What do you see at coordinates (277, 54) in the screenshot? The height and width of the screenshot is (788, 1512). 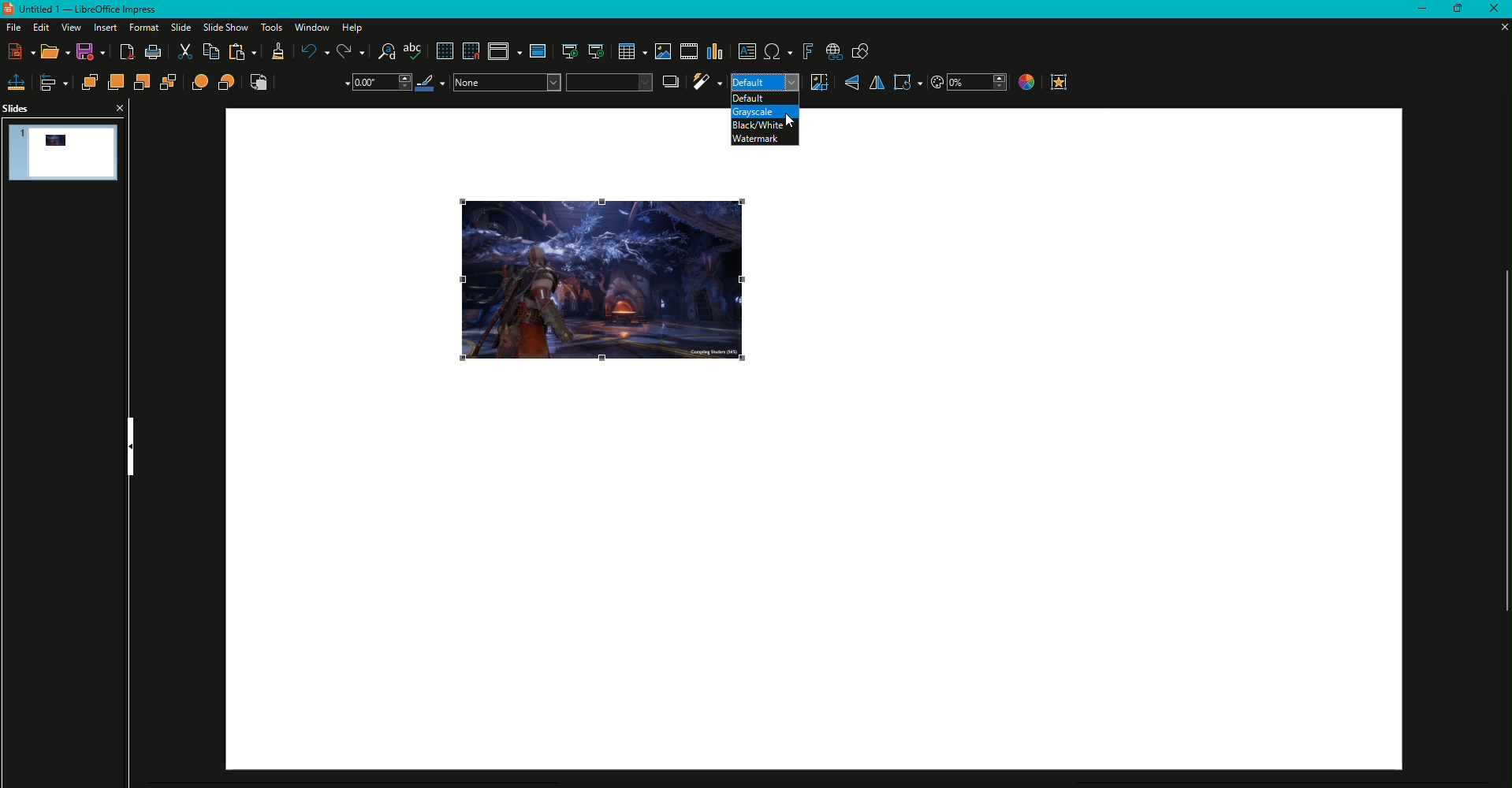 I see `Clone Formatting` at bounding box center [277, 54].